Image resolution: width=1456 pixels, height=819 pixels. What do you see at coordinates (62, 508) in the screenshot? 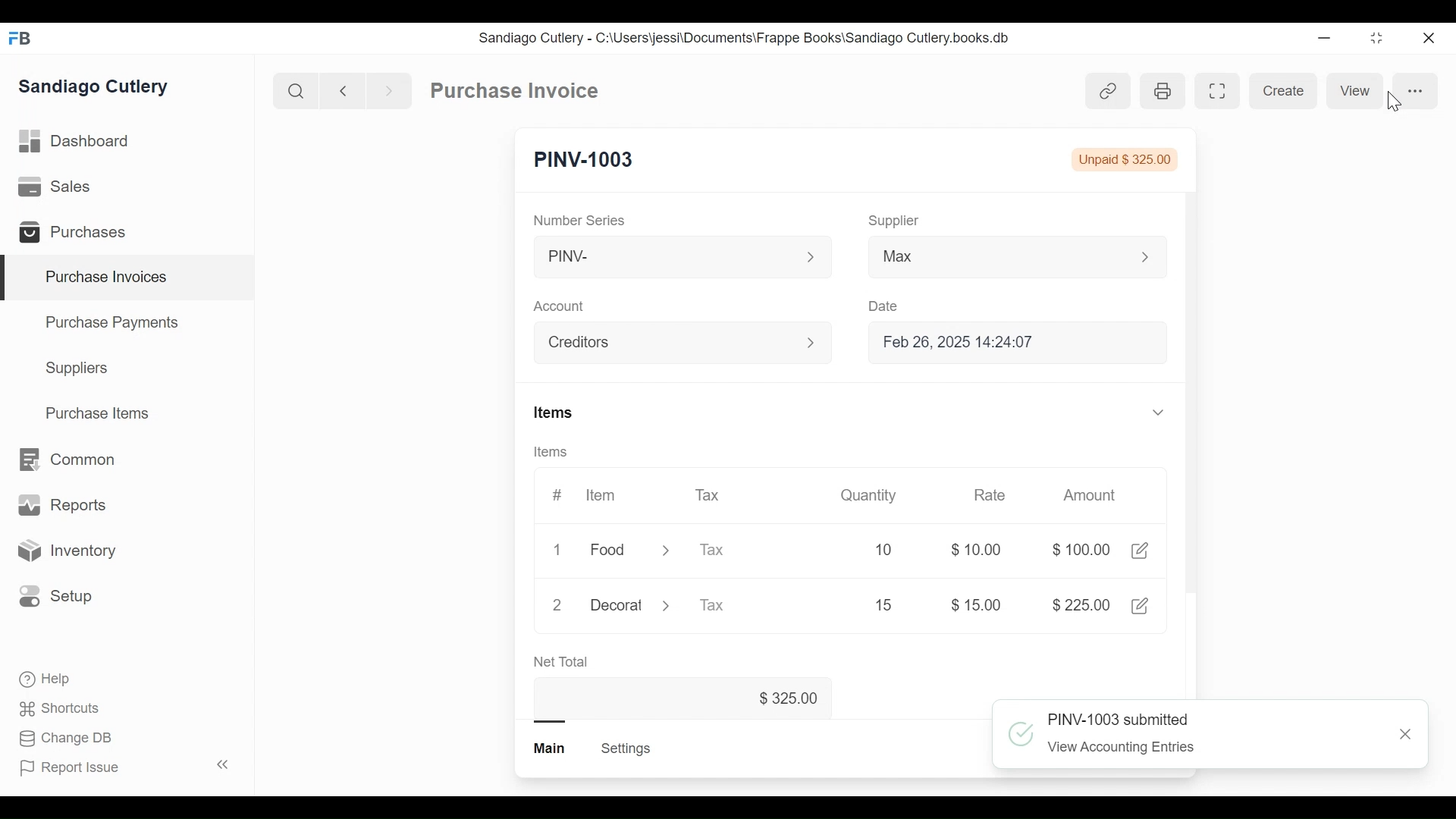
I see `Reports` at bounding box center [62, 508].